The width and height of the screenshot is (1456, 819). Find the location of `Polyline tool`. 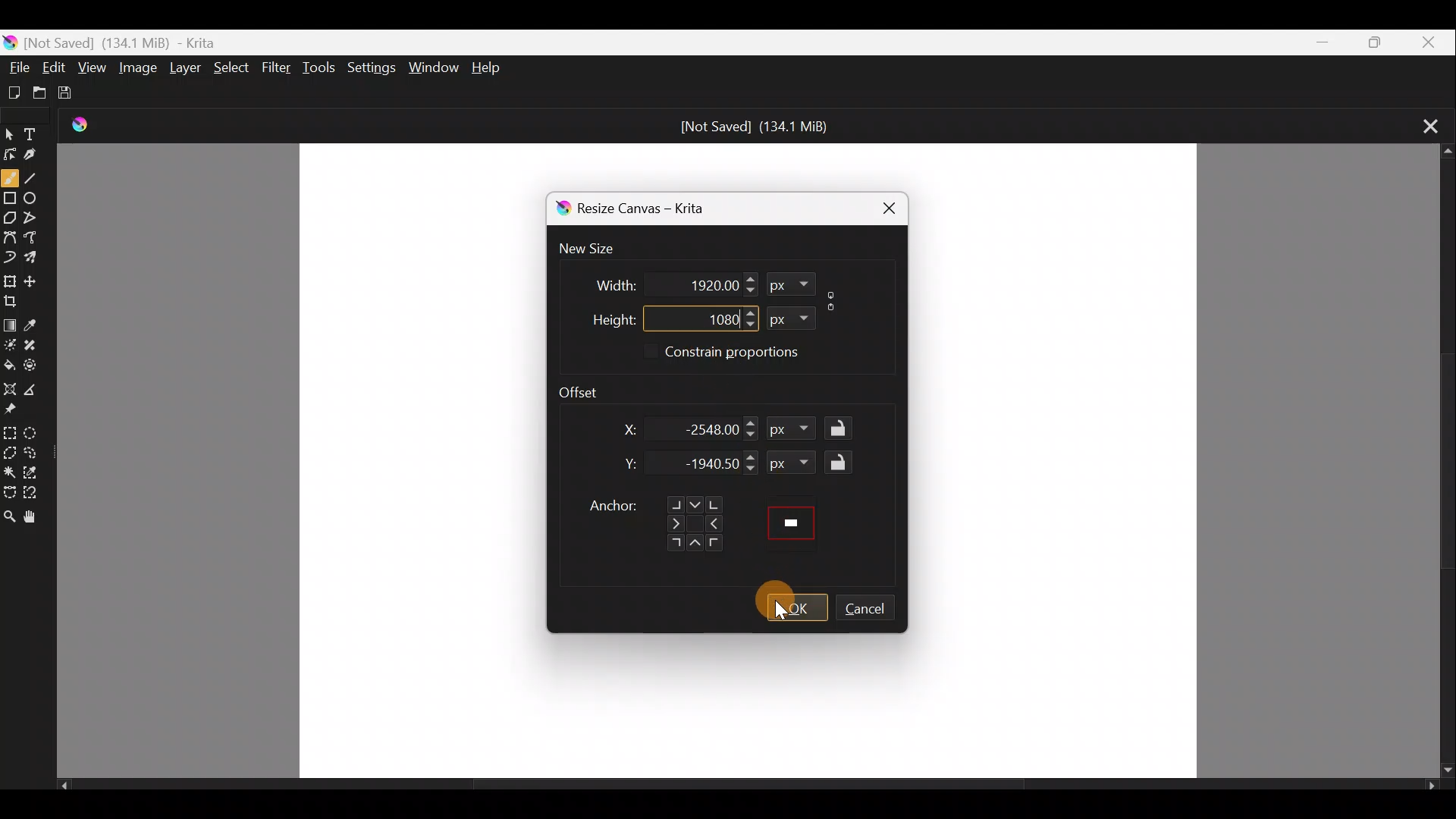

Polyline tool is located at coordinates (36, 213).